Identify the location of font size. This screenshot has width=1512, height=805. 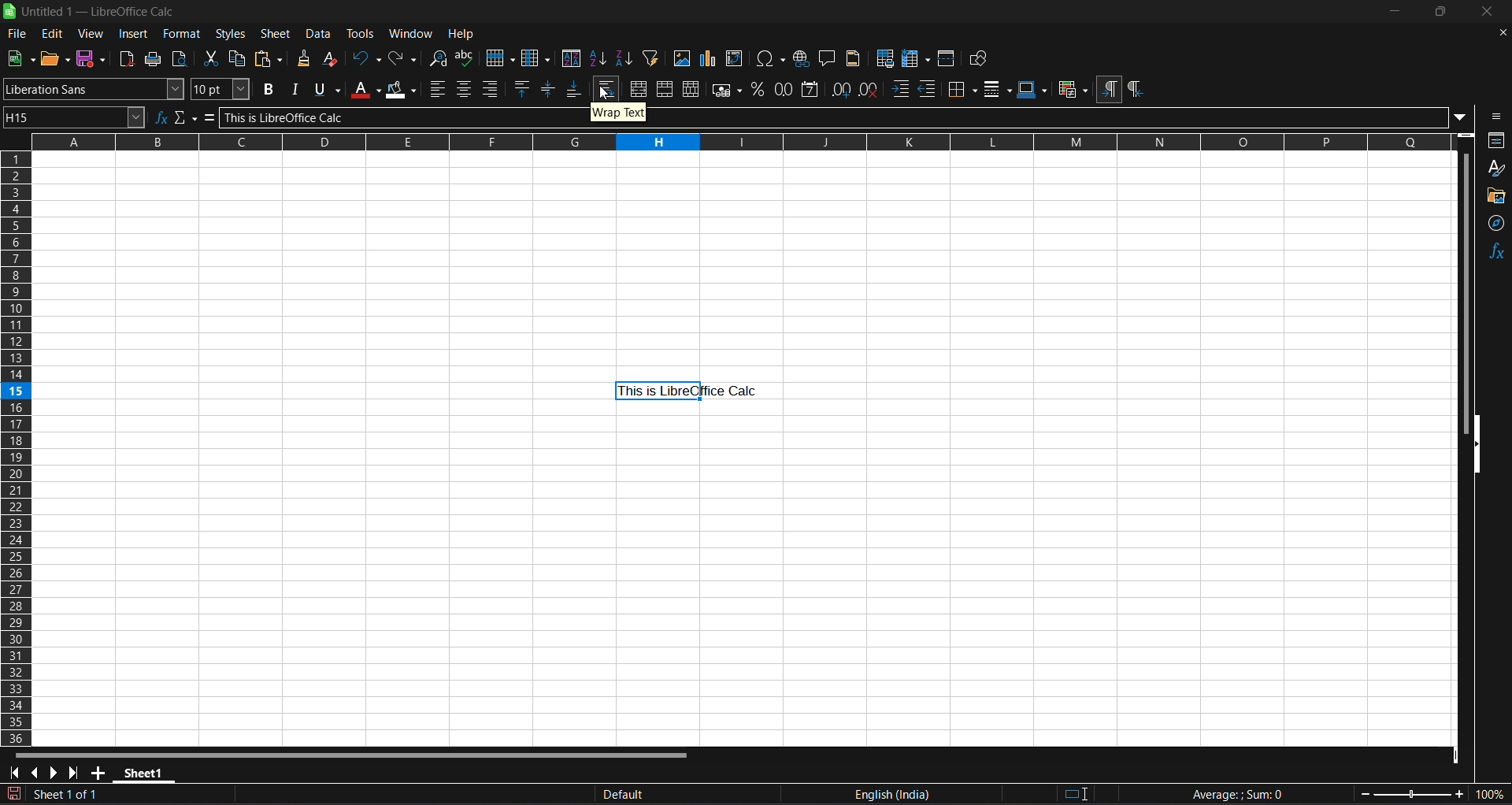
(221, 88).